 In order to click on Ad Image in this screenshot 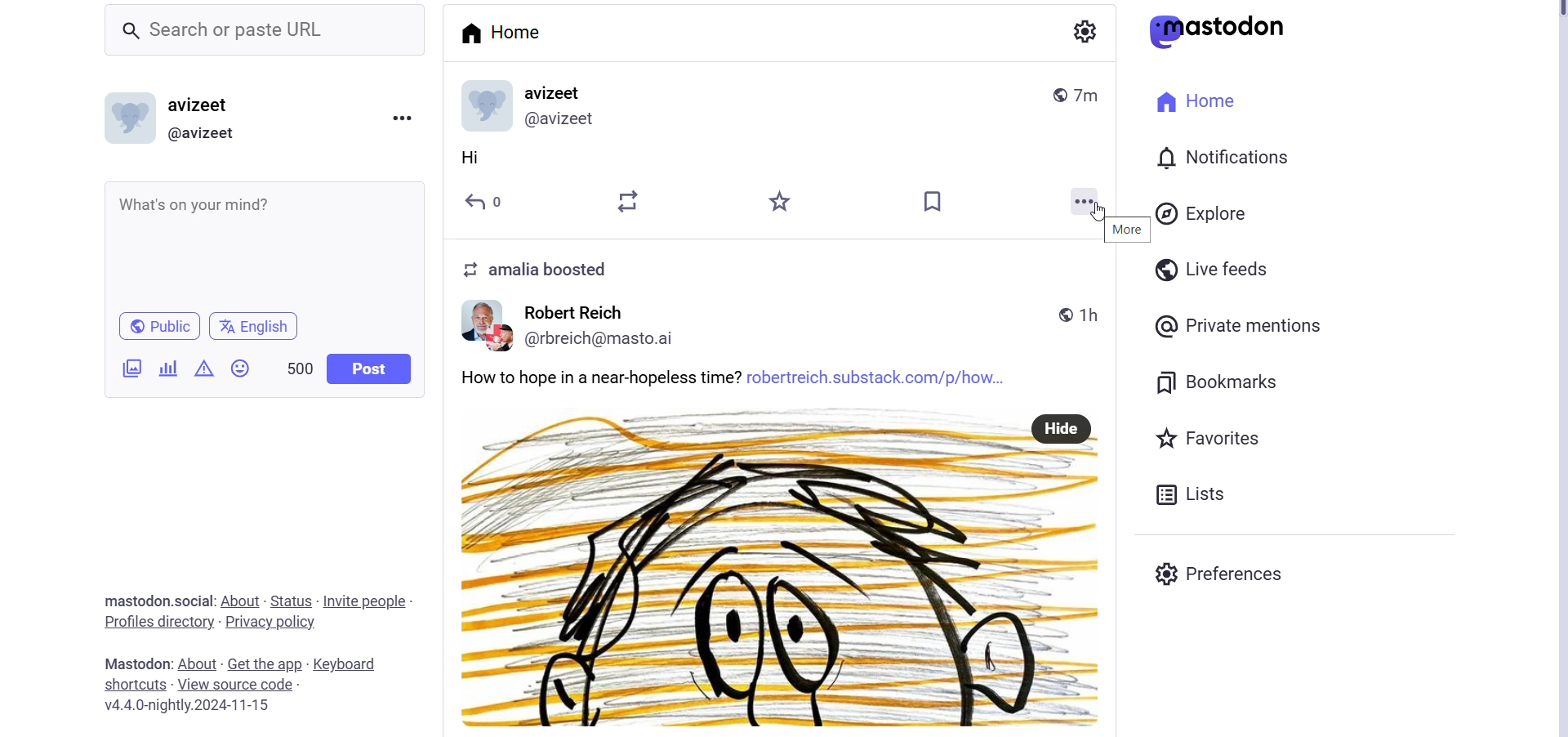, I will do `click(129, 368)`.